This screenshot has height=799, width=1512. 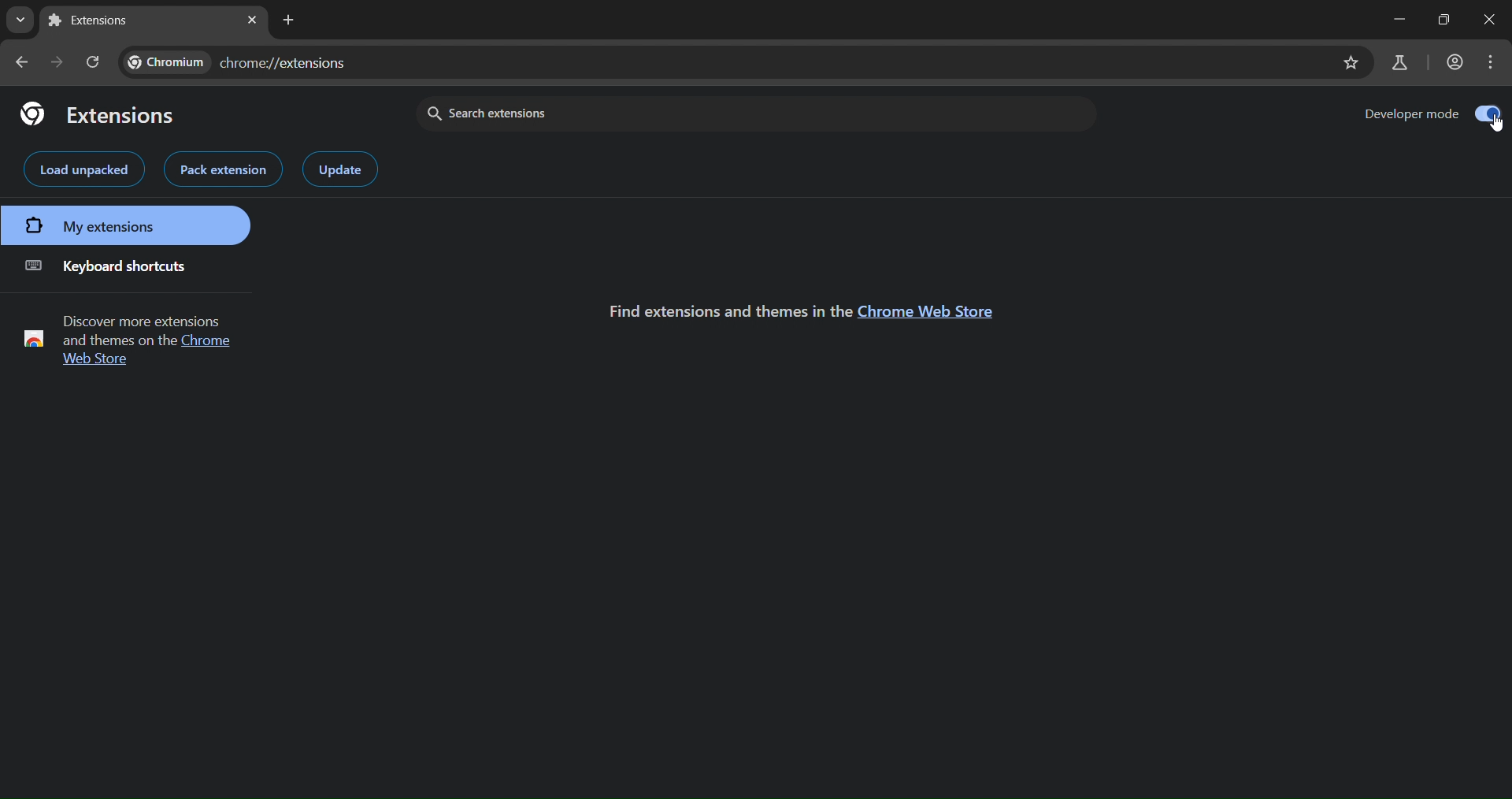 What do you see at coordinates (94, 223) in the screenshot?
I see `my extensions` at bounding box center [94, 223].